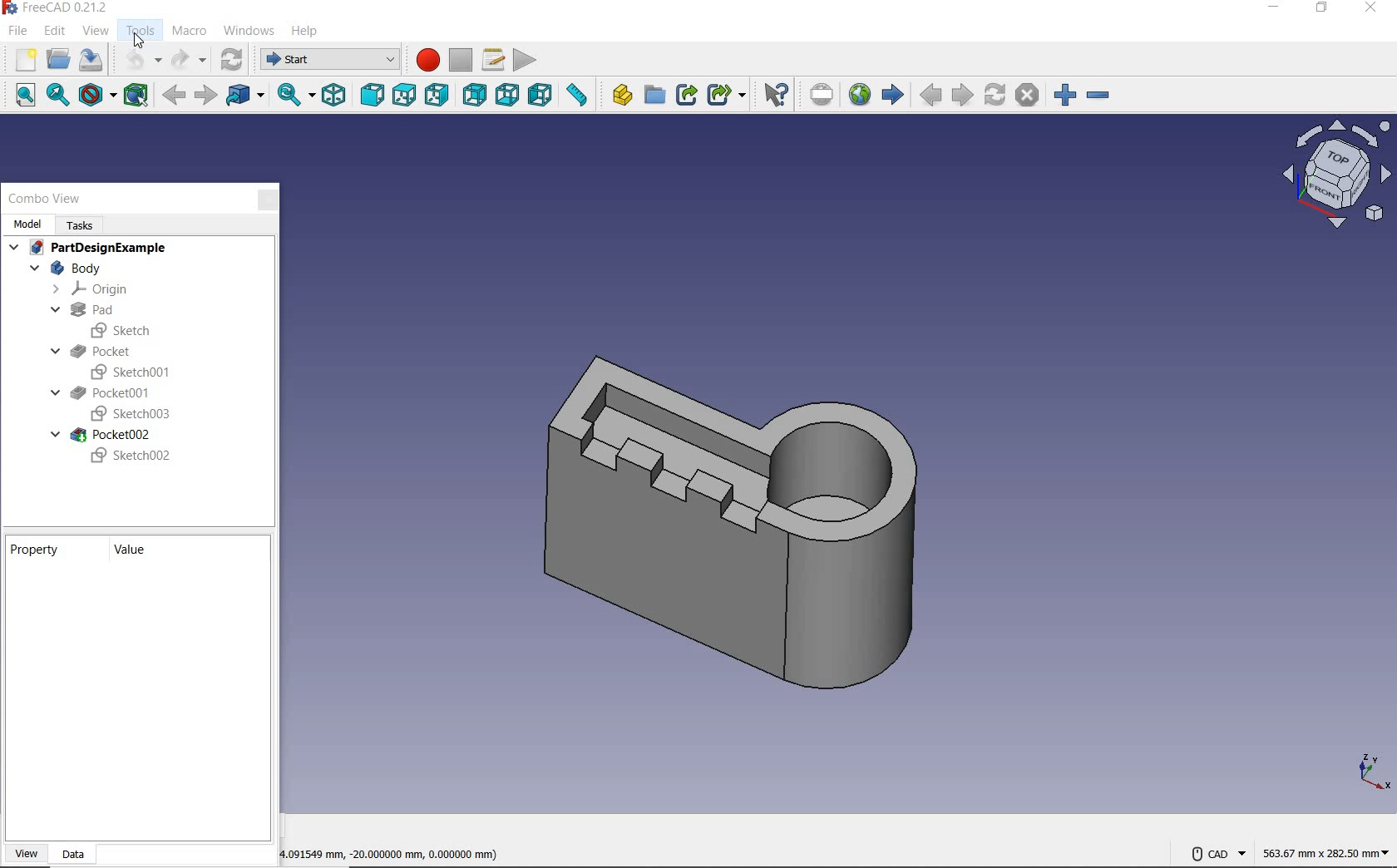 This screenshot has width=1397, height=868. I want to click on Property, so click(40, 549).